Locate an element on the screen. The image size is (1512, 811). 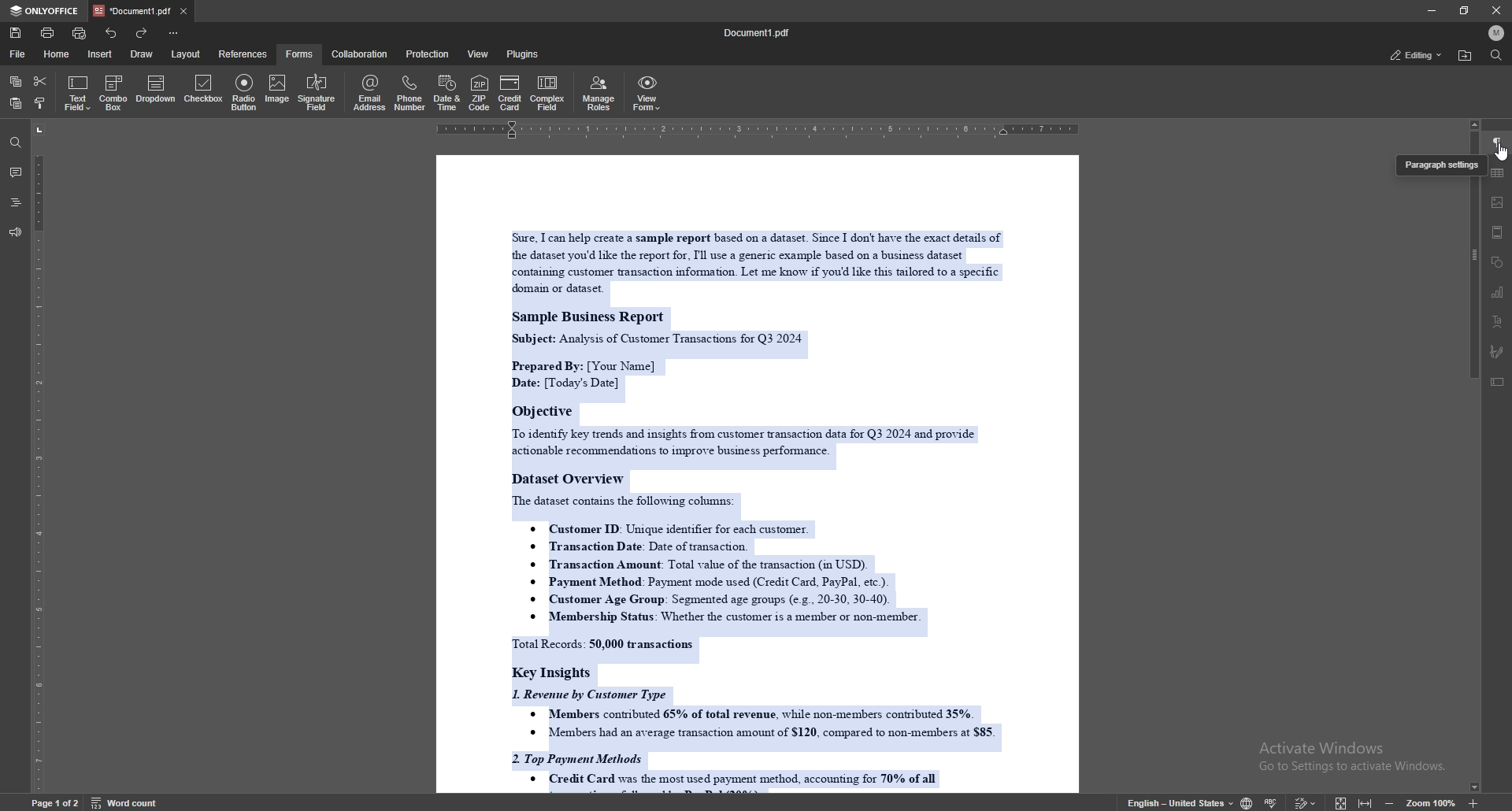
file name is located at coordinates (758, 33).